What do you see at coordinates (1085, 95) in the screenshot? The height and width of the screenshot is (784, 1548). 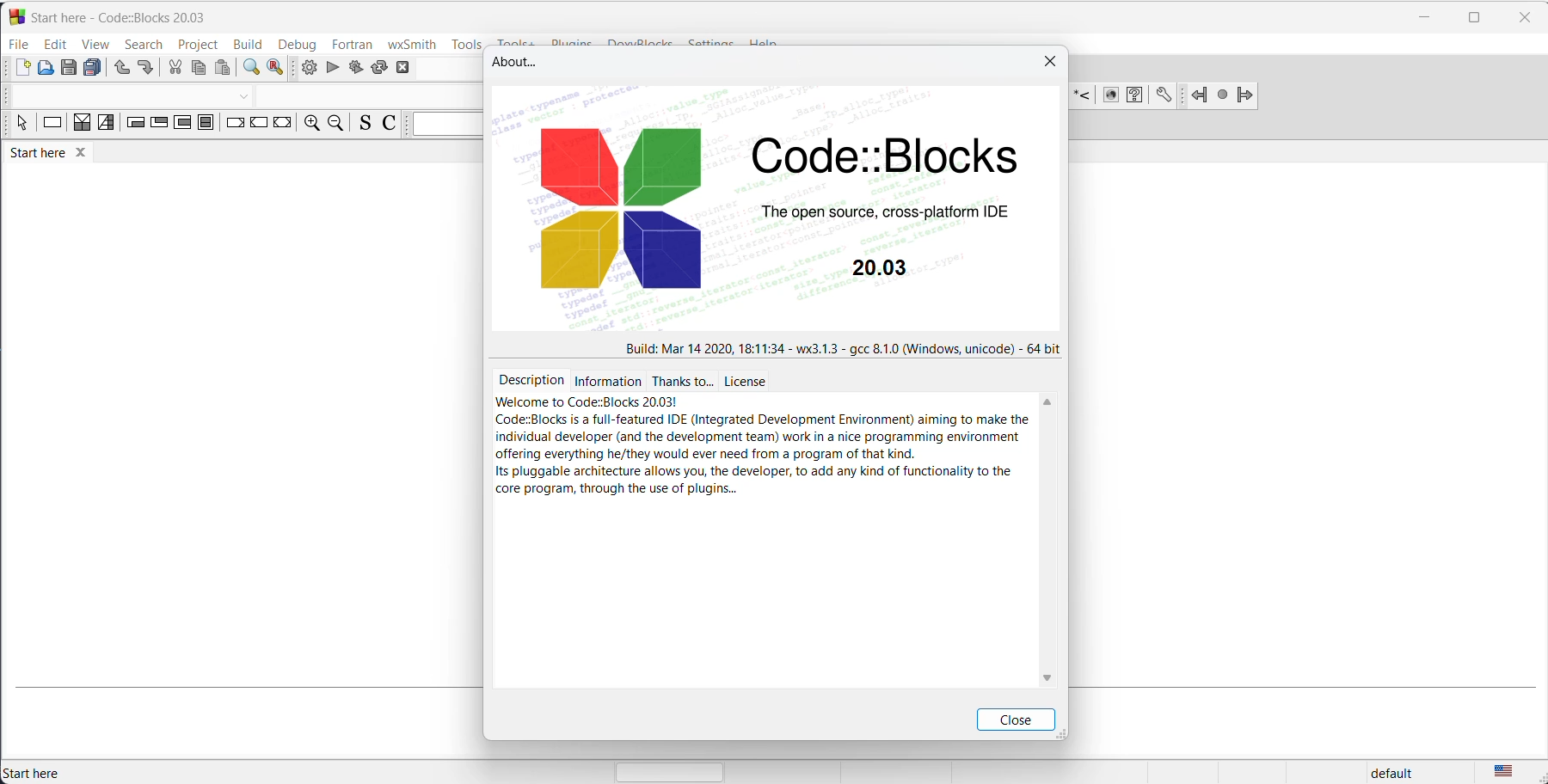 I see `Insert a line` at bounding box center [1085, 95].